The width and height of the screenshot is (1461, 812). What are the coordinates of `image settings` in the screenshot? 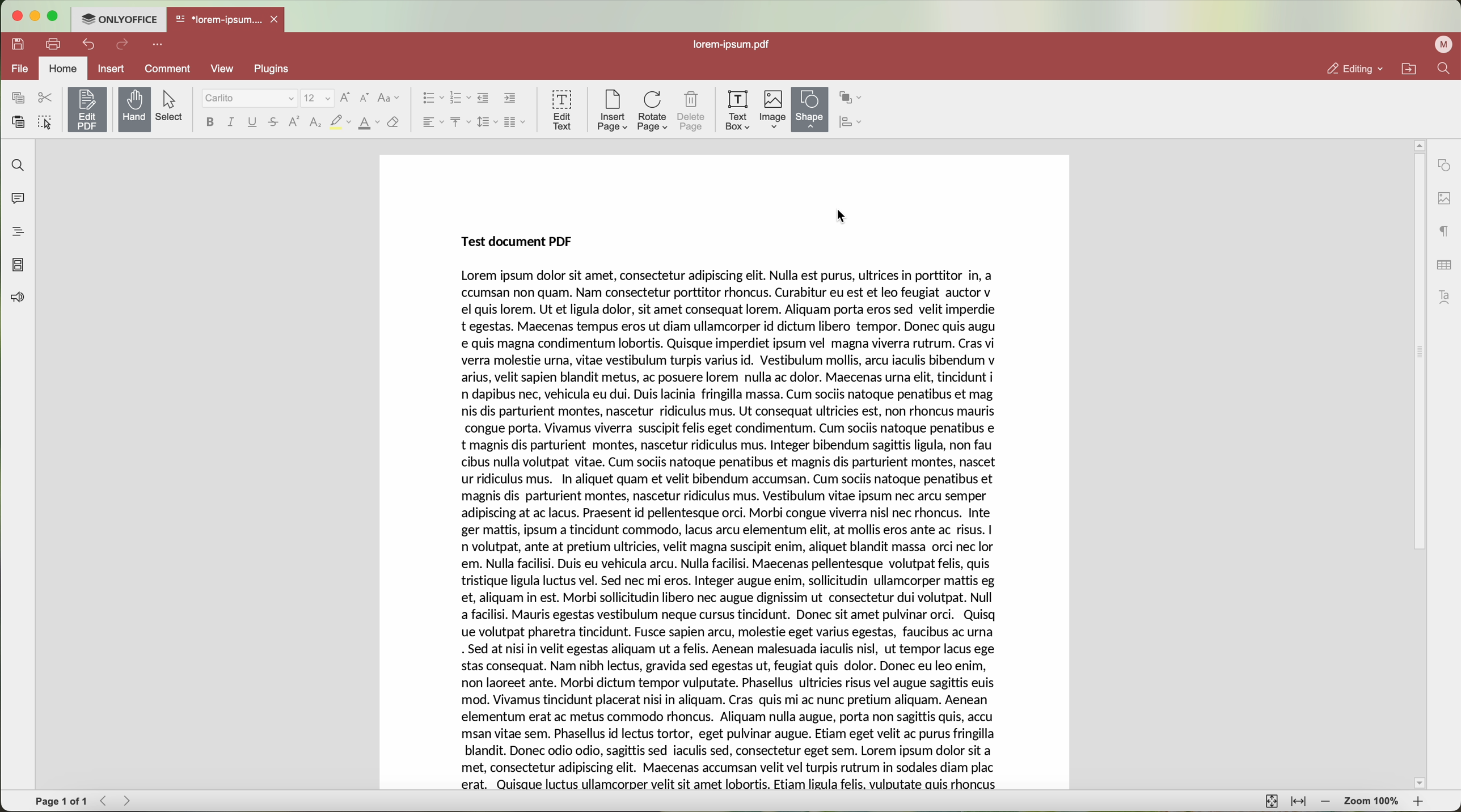 It's located at (1443, 198).